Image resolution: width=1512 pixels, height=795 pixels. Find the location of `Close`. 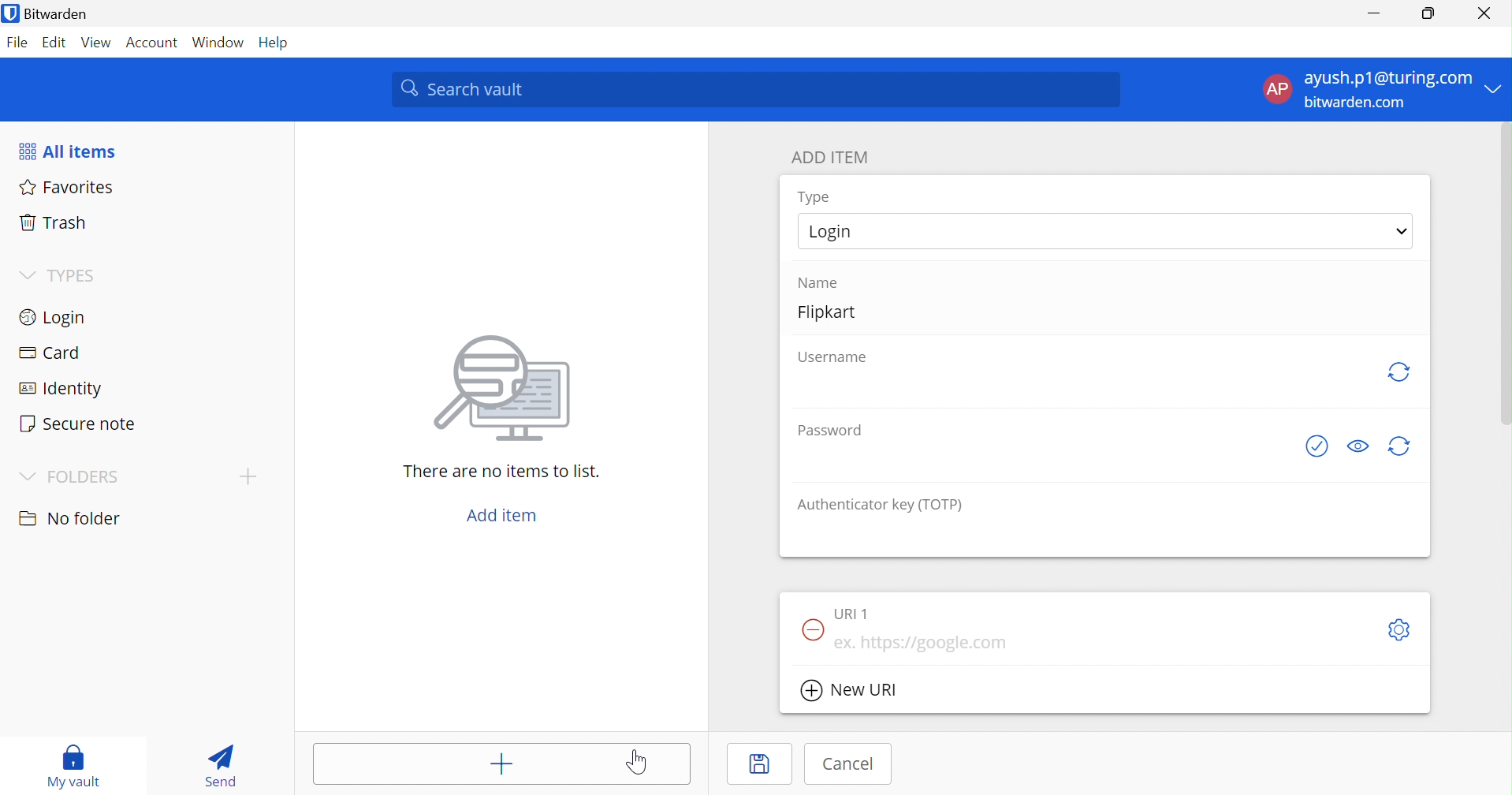

Close is located at coordinates (1485, 13).